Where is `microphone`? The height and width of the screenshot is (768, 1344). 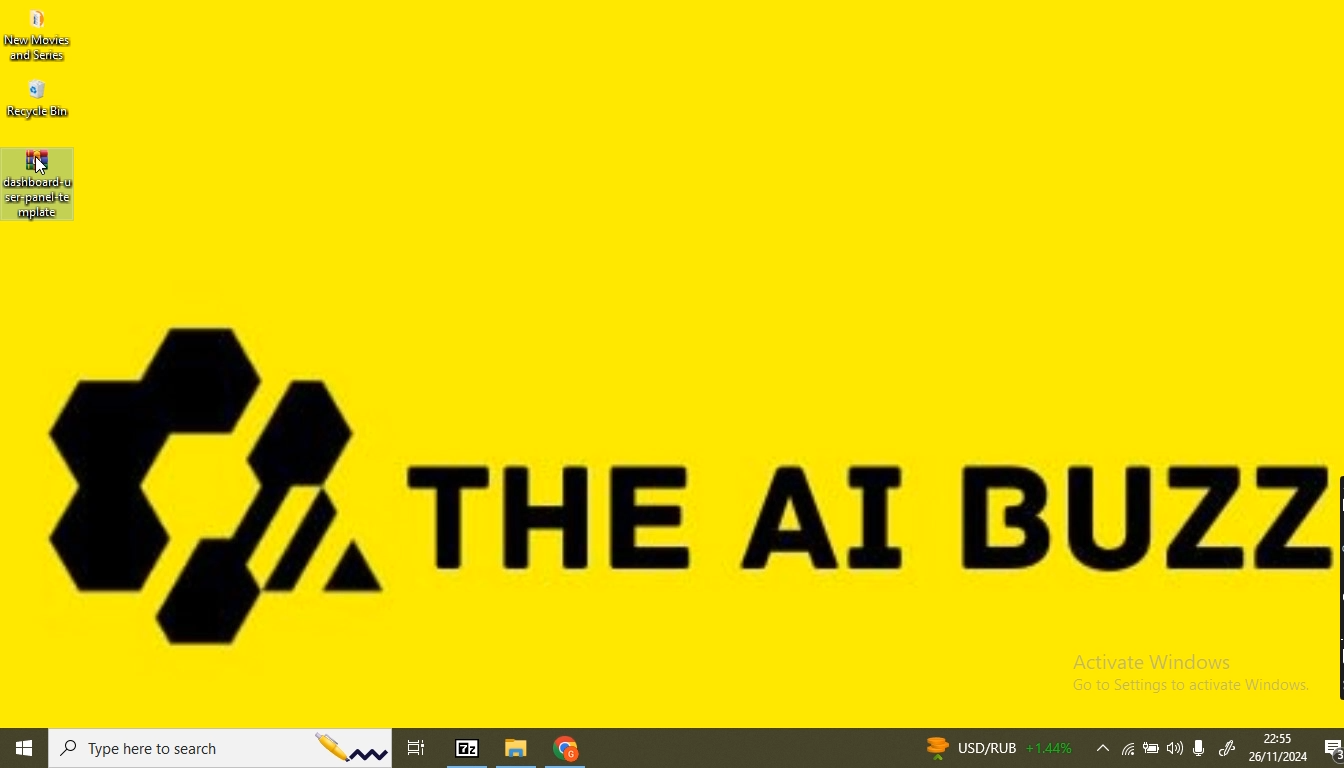 microphone is located at coordinates (1204, 746).